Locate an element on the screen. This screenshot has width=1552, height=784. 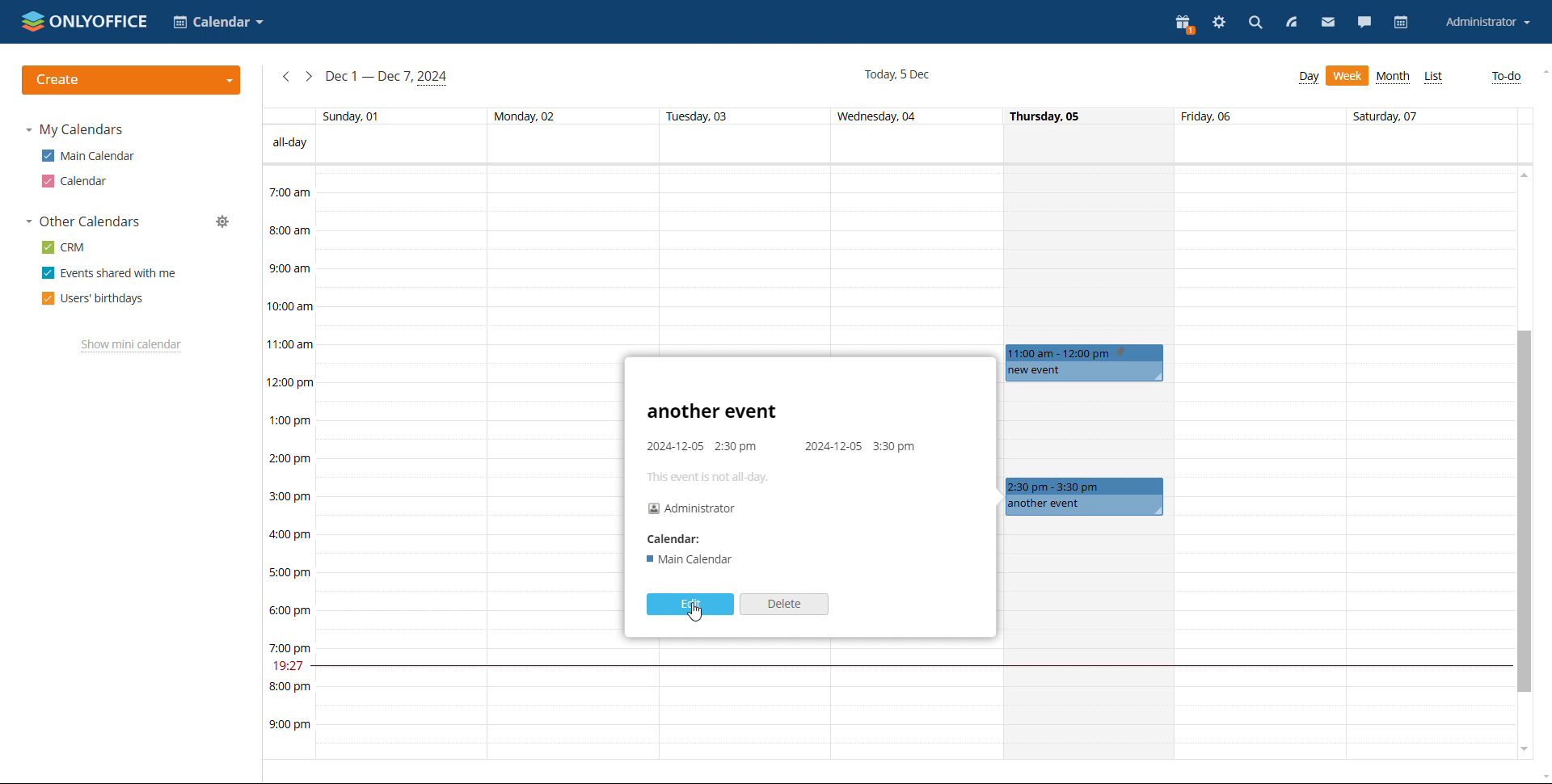
main calendar is located at coordinates (88, 156).